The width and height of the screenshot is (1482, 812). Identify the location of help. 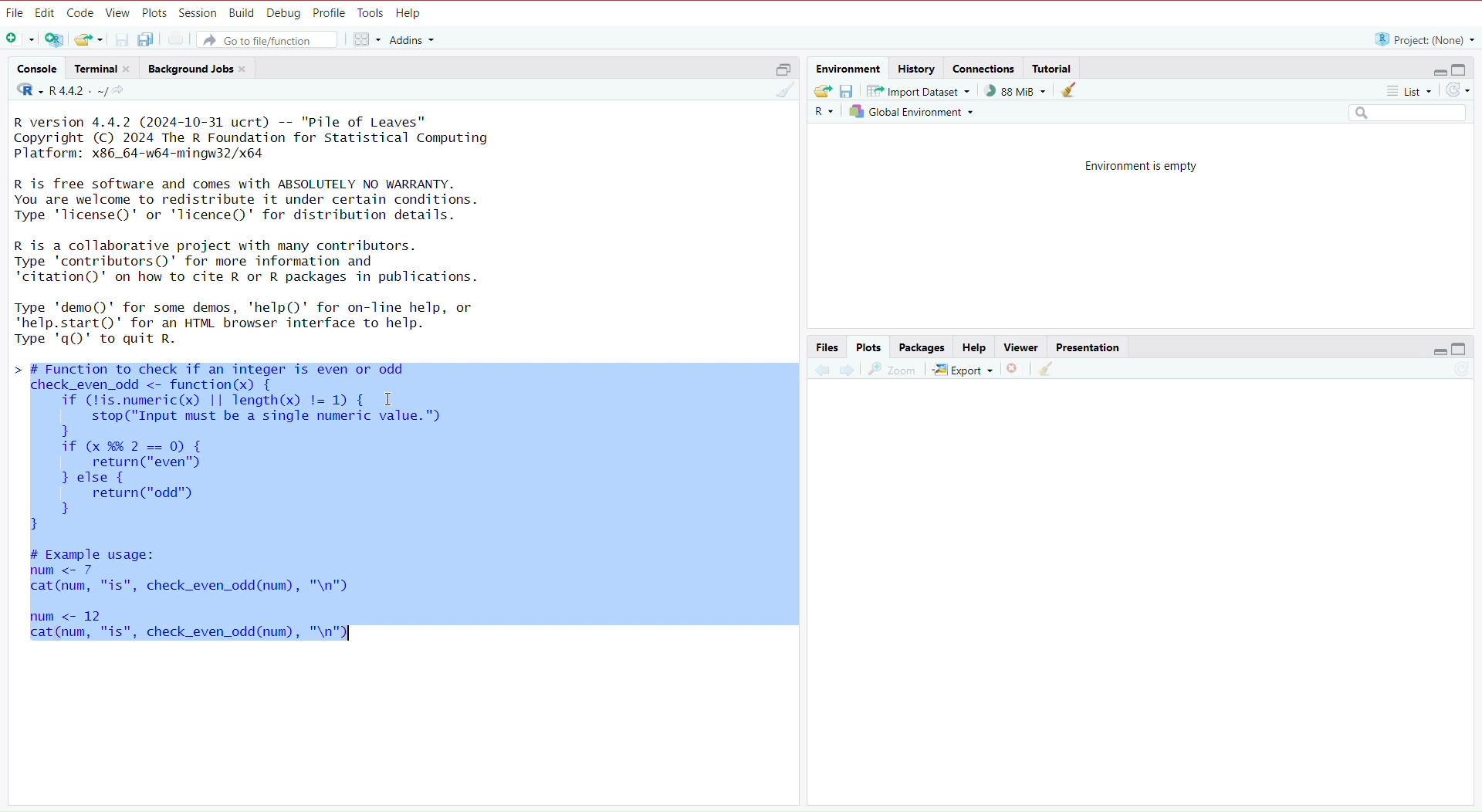
(972, 348).